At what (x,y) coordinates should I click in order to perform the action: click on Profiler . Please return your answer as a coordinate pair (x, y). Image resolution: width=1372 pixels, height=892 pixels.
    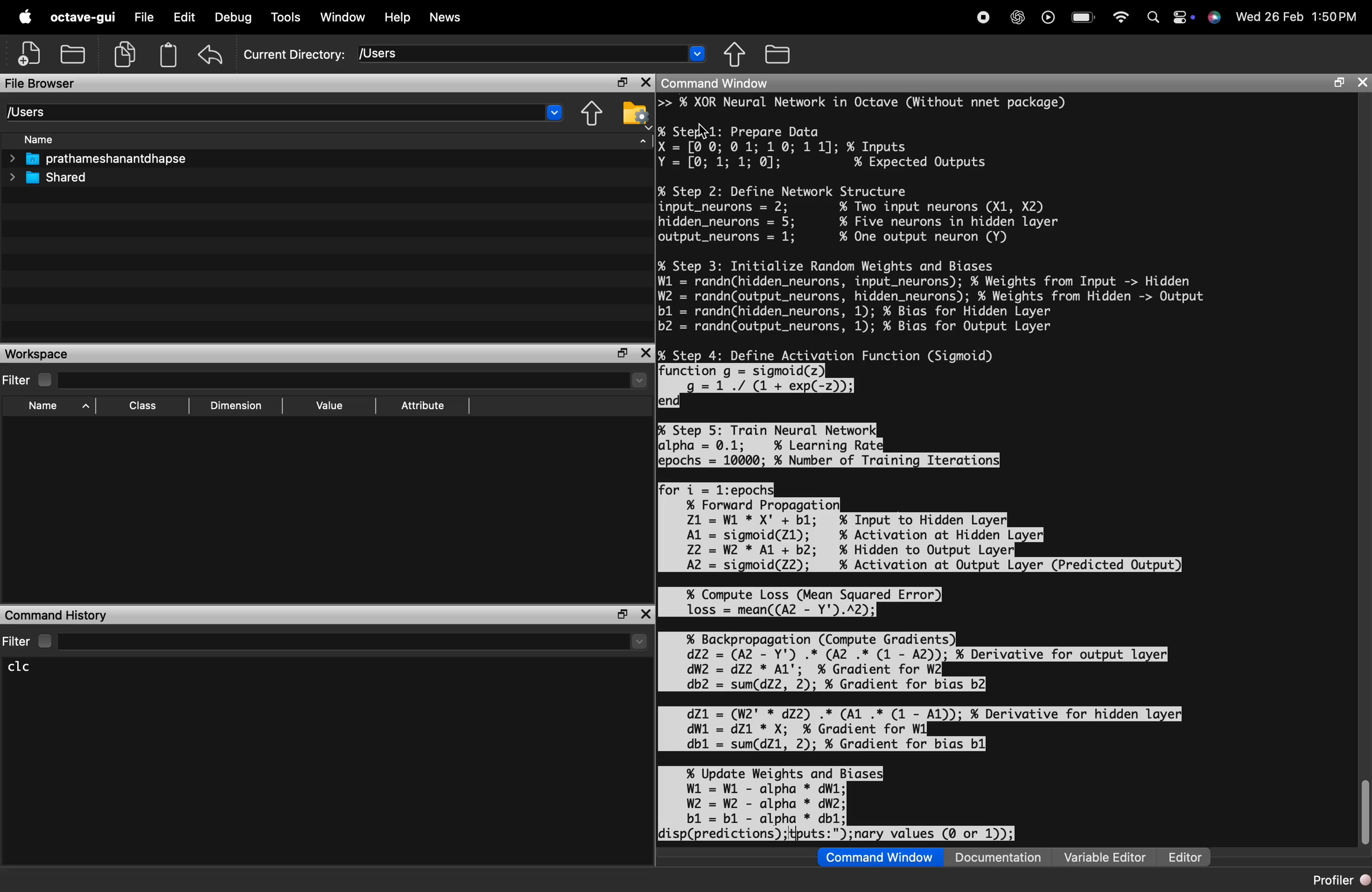
    Looking at the image, I should click on (1334, 879).